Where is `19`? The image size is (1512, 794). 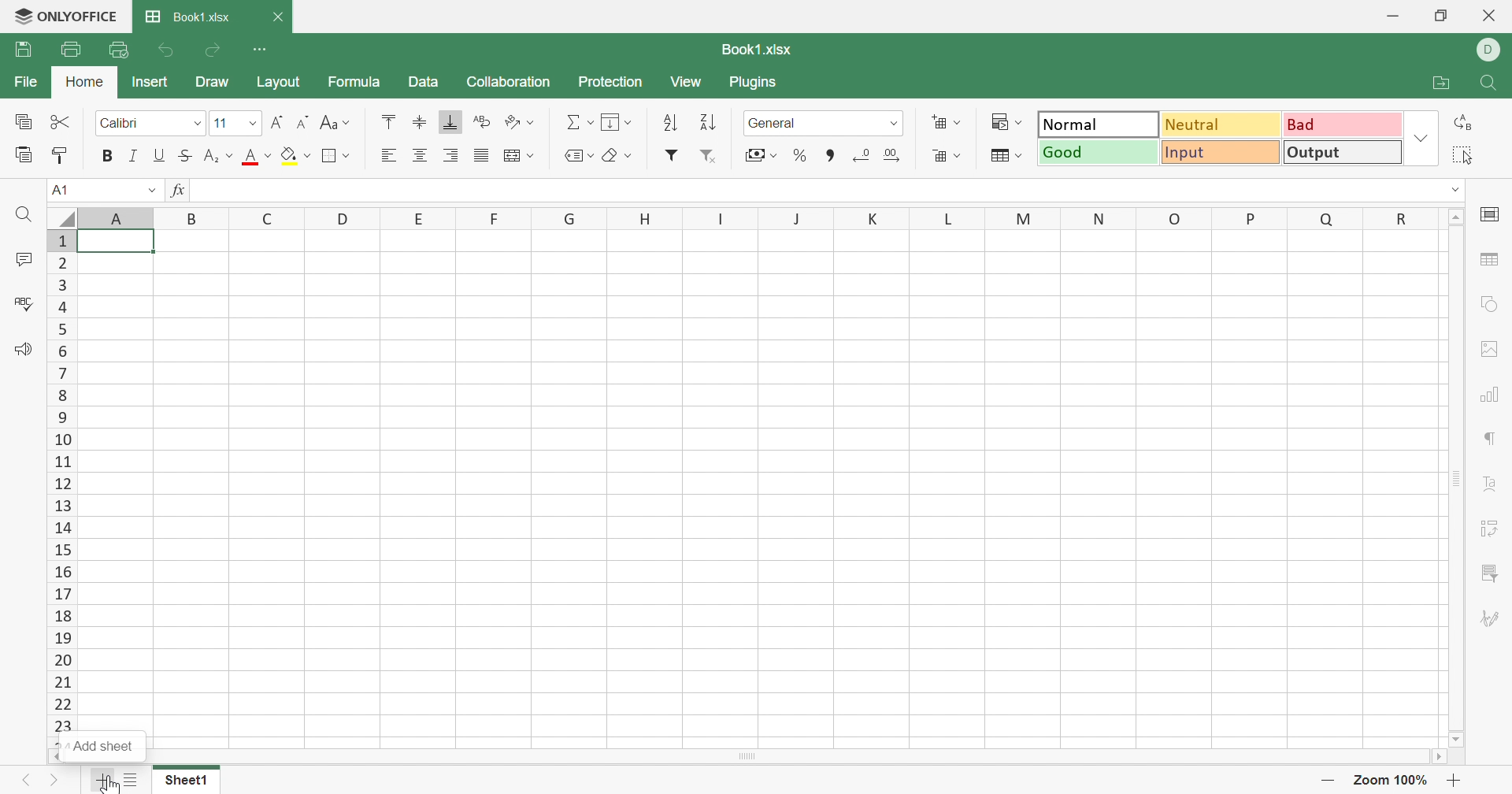
19 is located at coordinates (61, 639).